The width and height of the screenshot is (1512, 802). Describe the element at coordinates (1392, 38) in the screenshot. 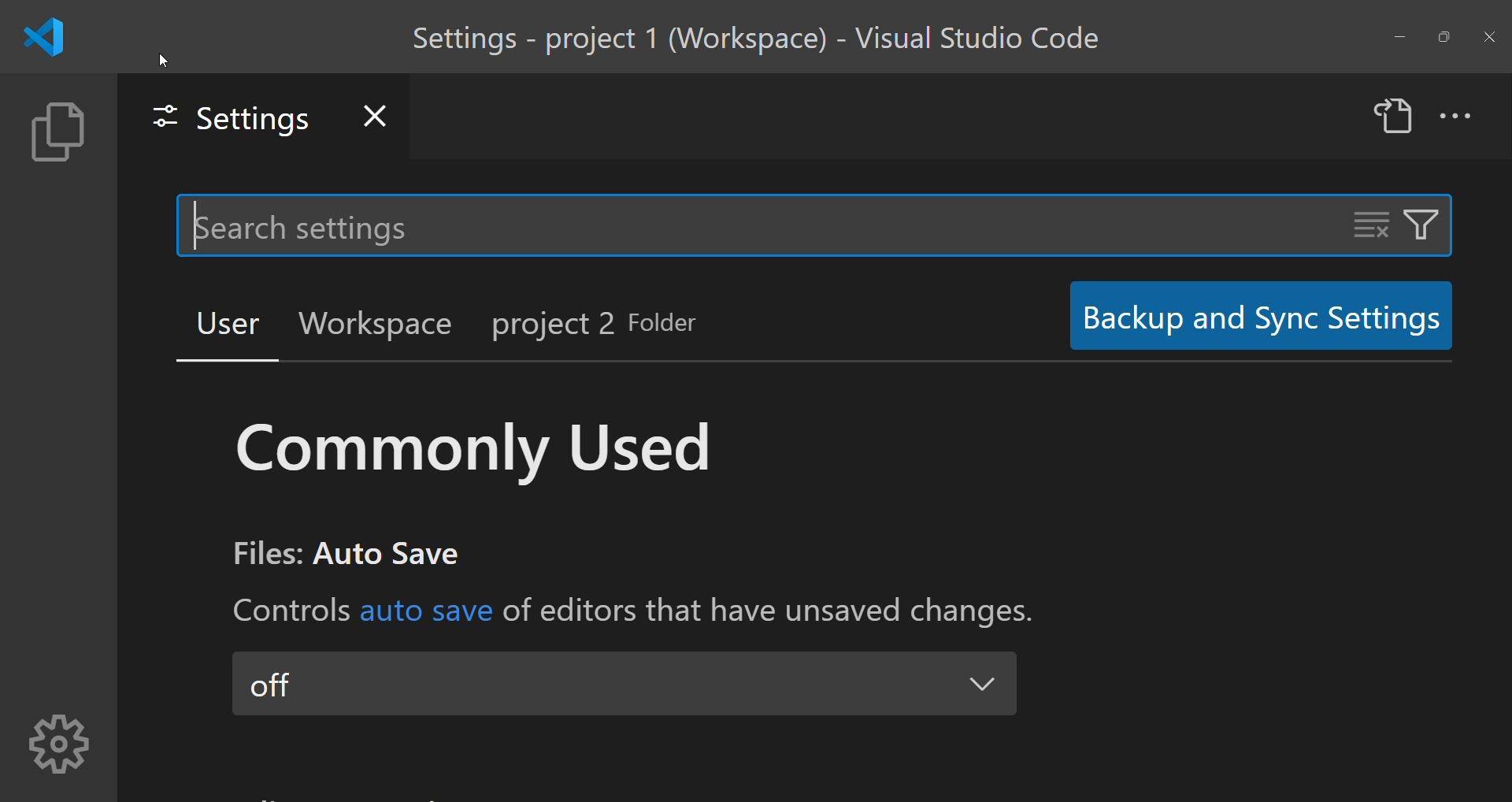

I see `minimize` at that location.